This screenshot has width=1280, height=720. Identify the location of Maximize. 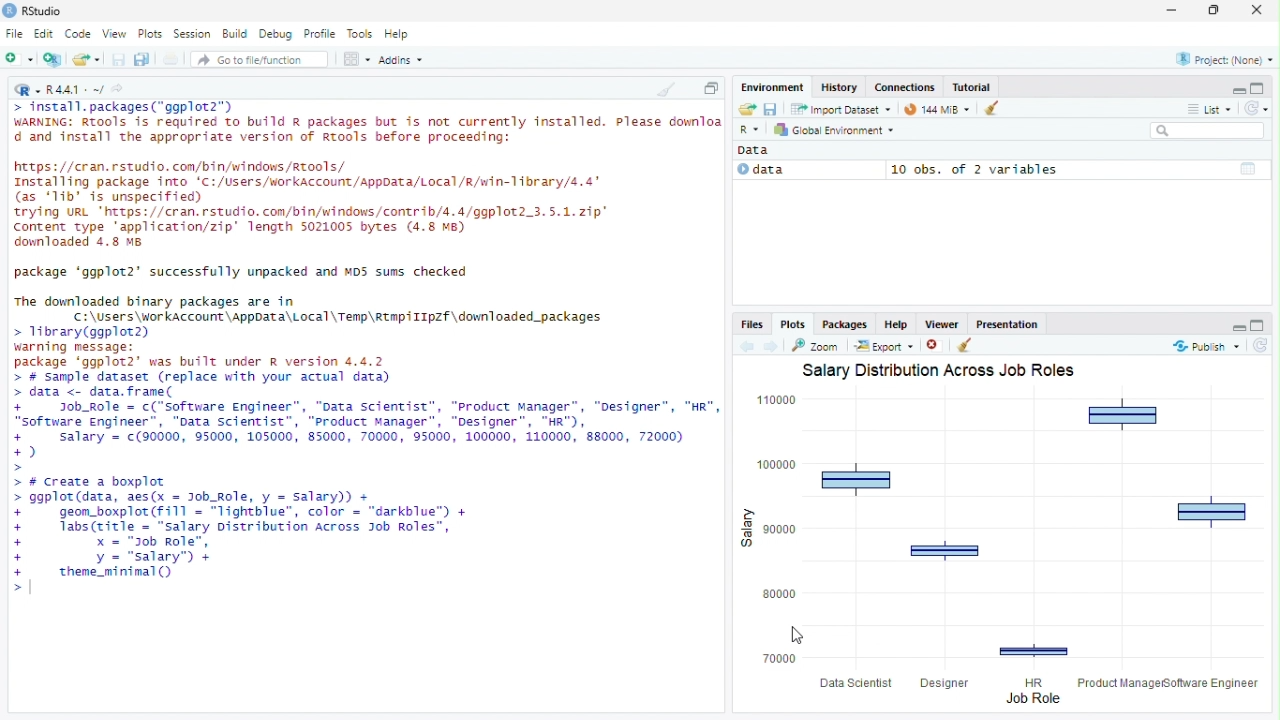
(710, 86).